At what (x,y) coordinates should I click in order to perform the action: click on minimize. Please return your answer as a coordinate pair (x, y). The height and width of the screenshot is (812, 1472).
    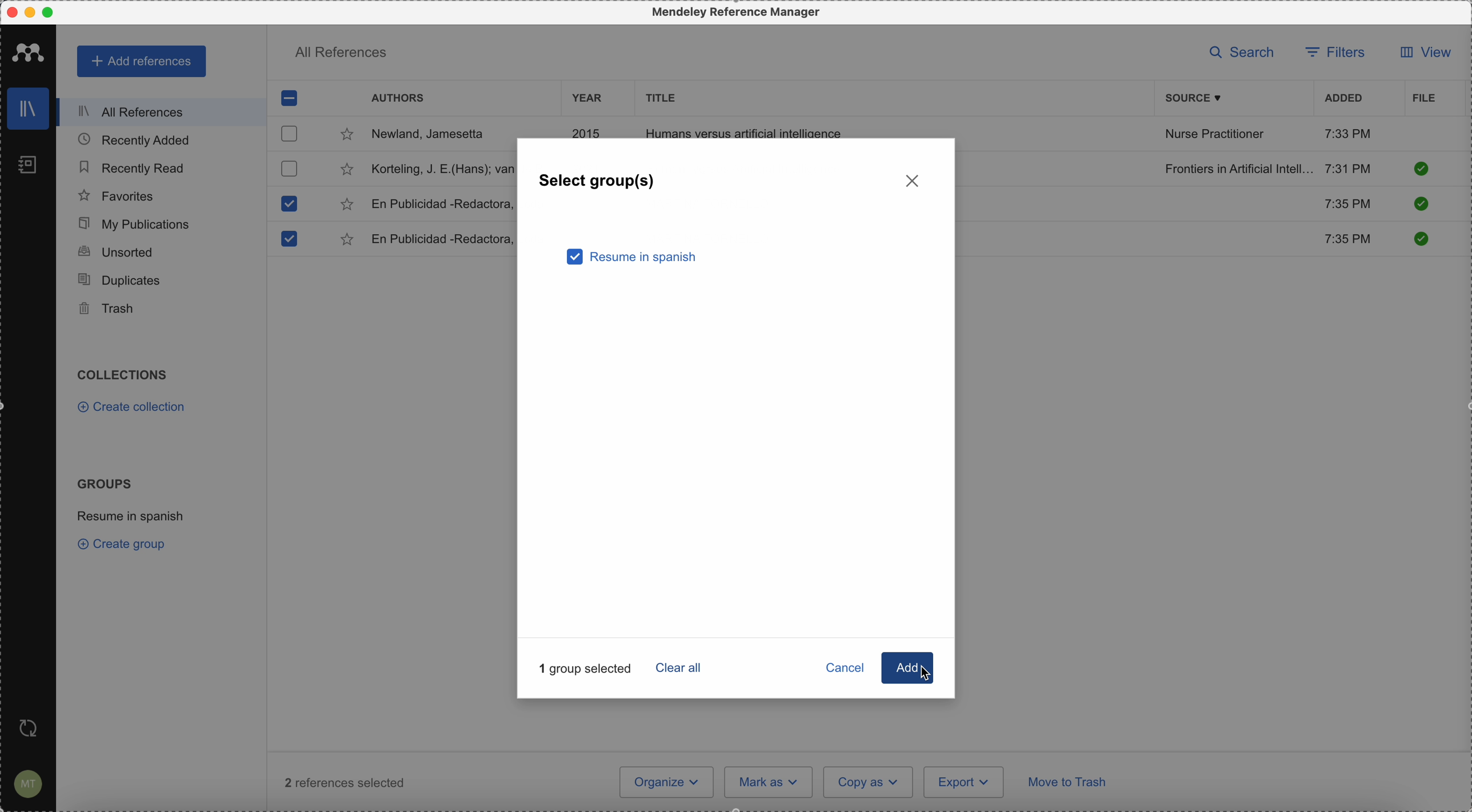
    Looking at the image, I should click on (33, 13).